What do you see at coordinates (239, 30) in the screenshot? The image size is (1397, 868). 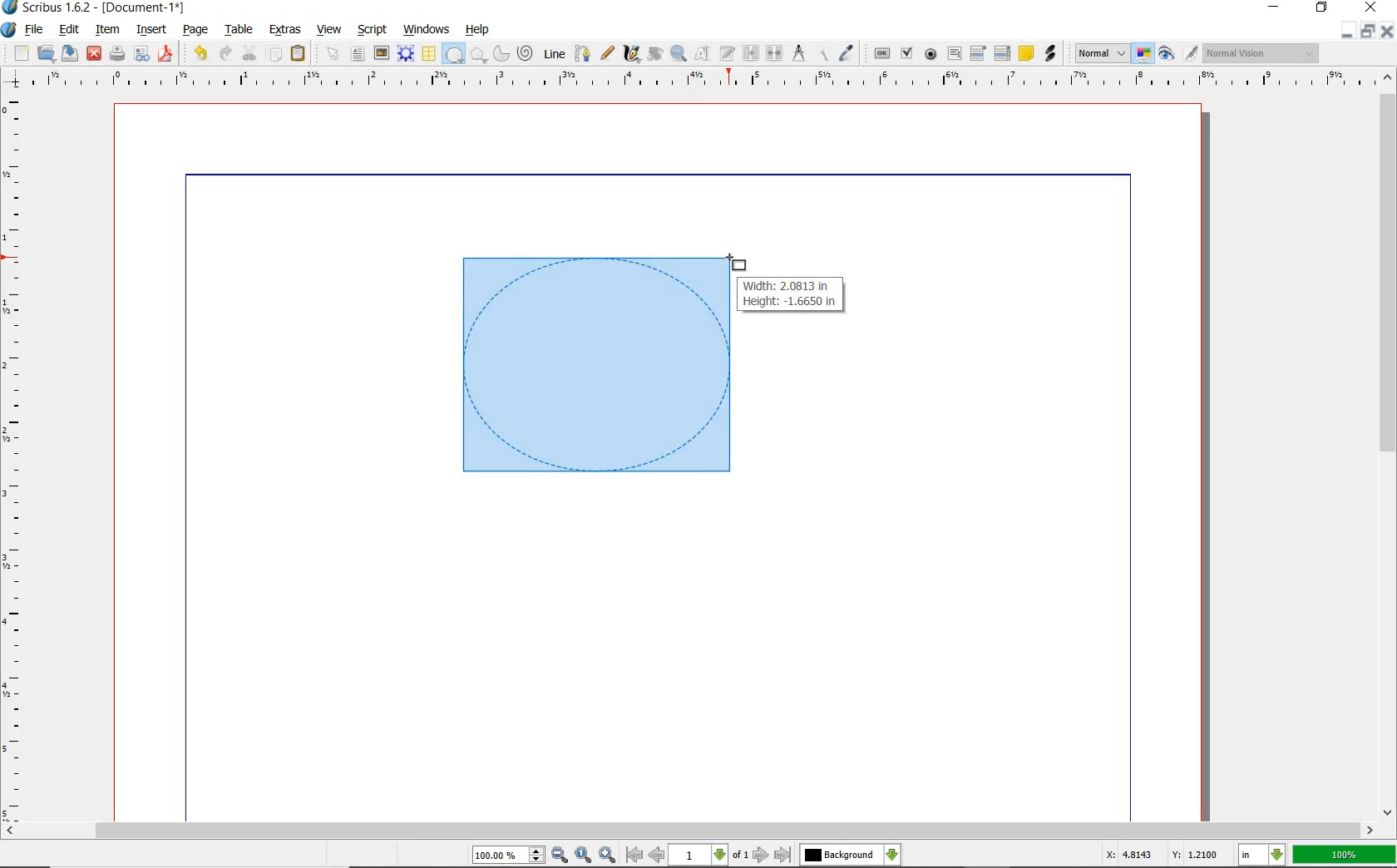 I see `TABLE` at bounding box center [239, 30].